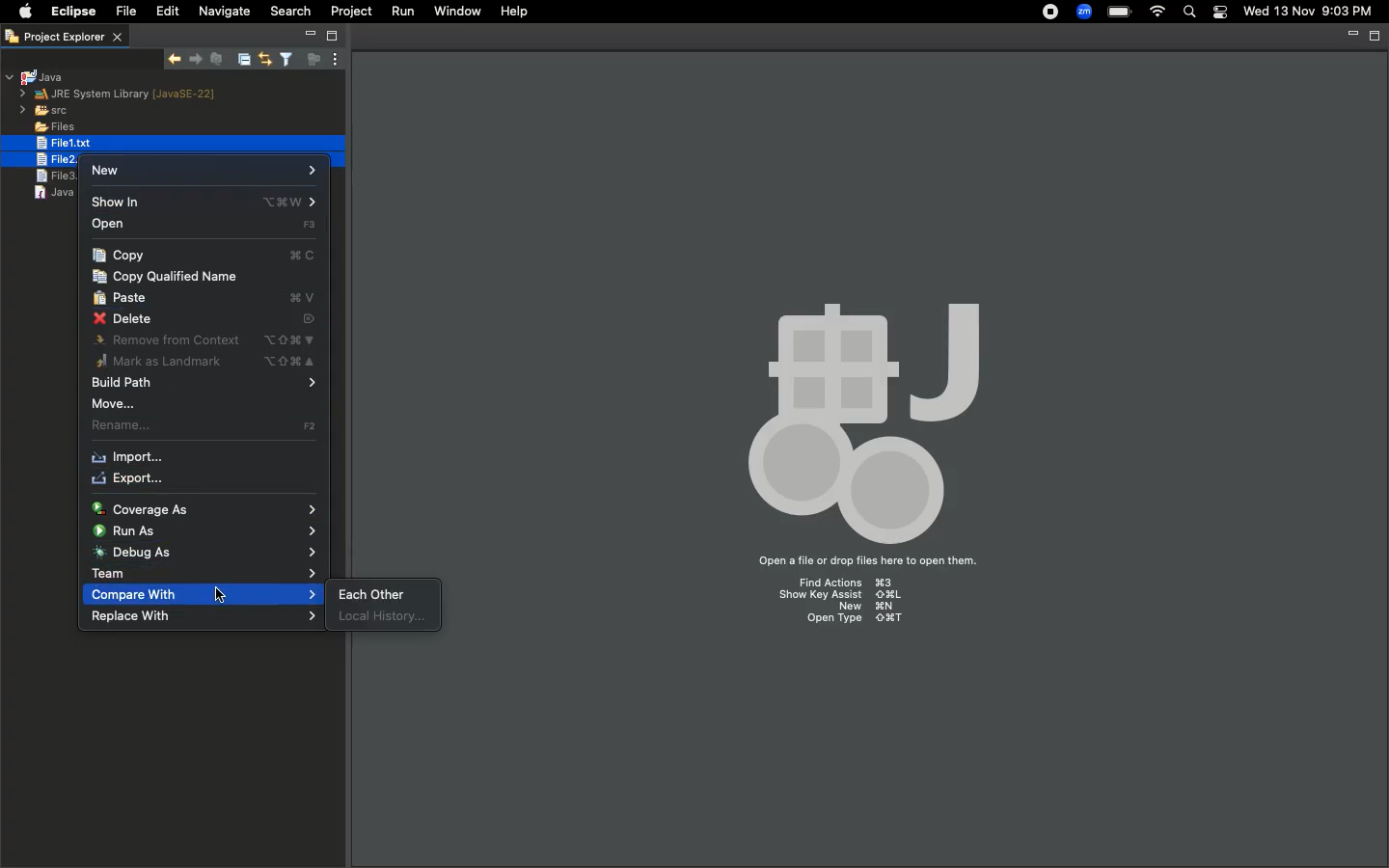  I want to click on Show next match, so click(177, 57).